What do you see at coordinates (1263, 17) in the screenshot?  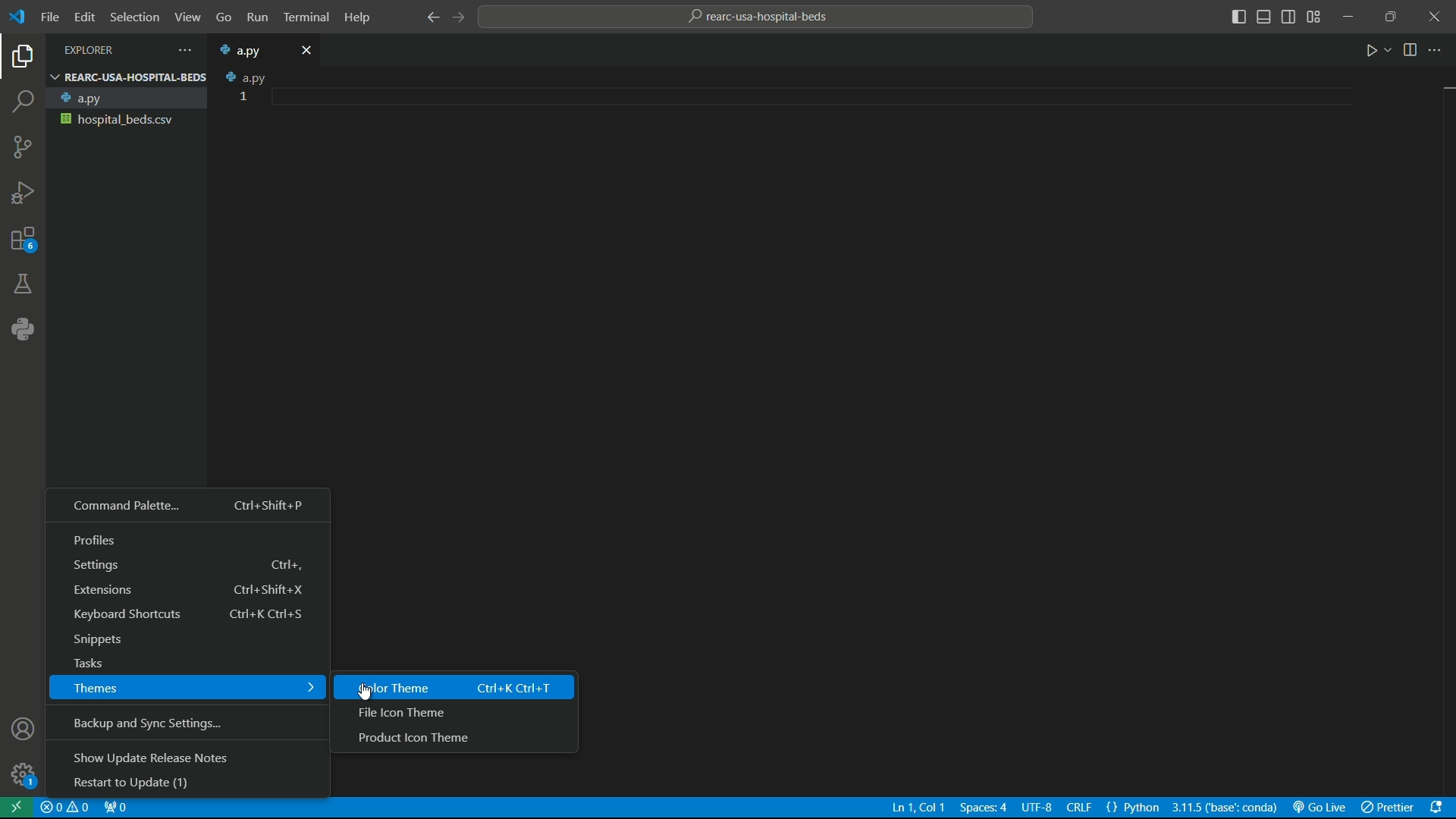 I see `toggle panel` at bounding box center [1263, 17].